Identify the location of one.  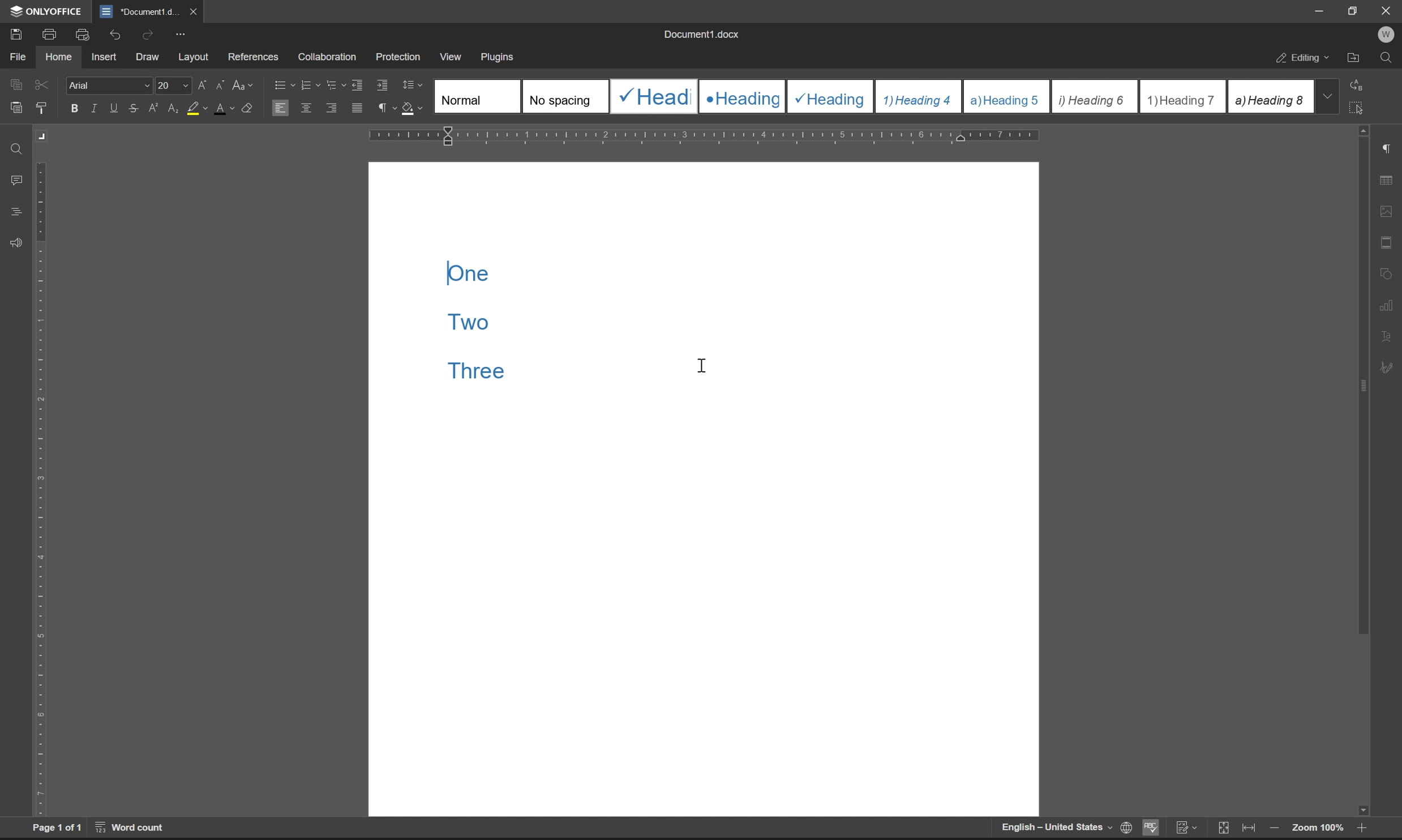
(467, 273).